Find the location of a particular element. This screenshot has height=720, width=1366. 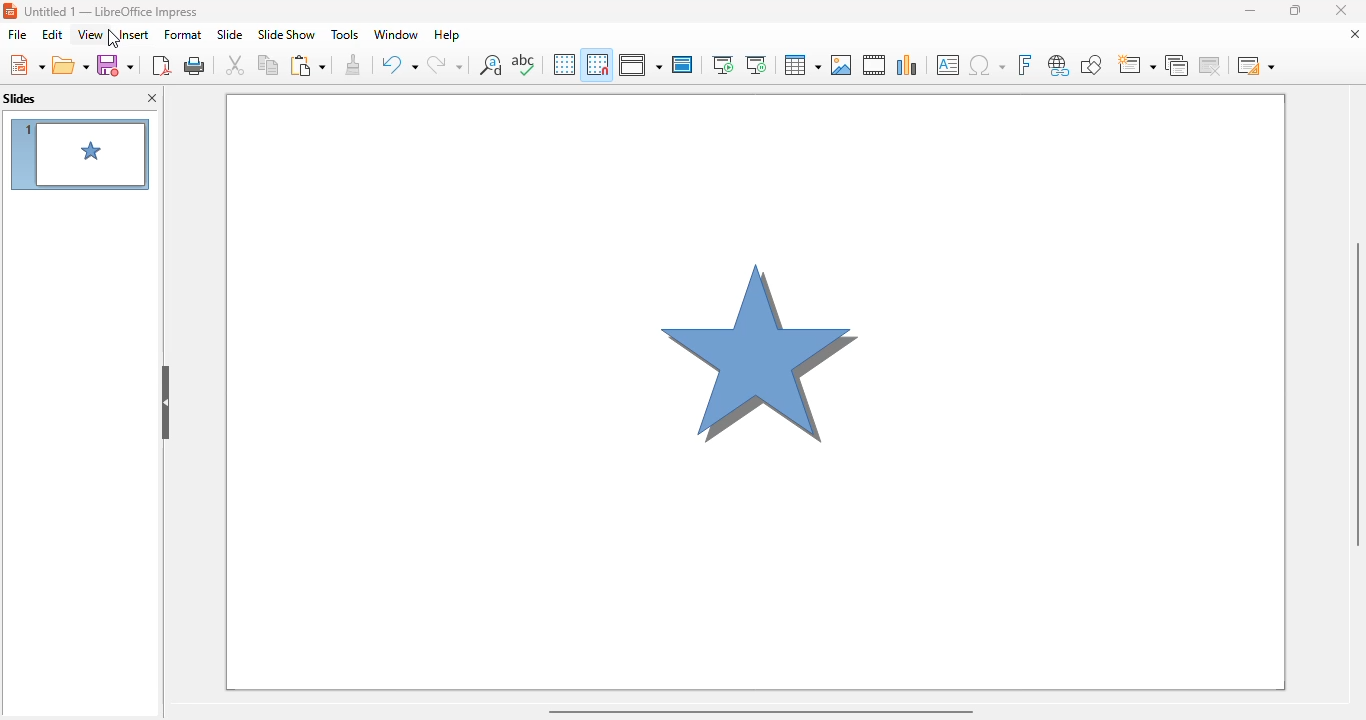

undo is located at coordinates (398, 65).